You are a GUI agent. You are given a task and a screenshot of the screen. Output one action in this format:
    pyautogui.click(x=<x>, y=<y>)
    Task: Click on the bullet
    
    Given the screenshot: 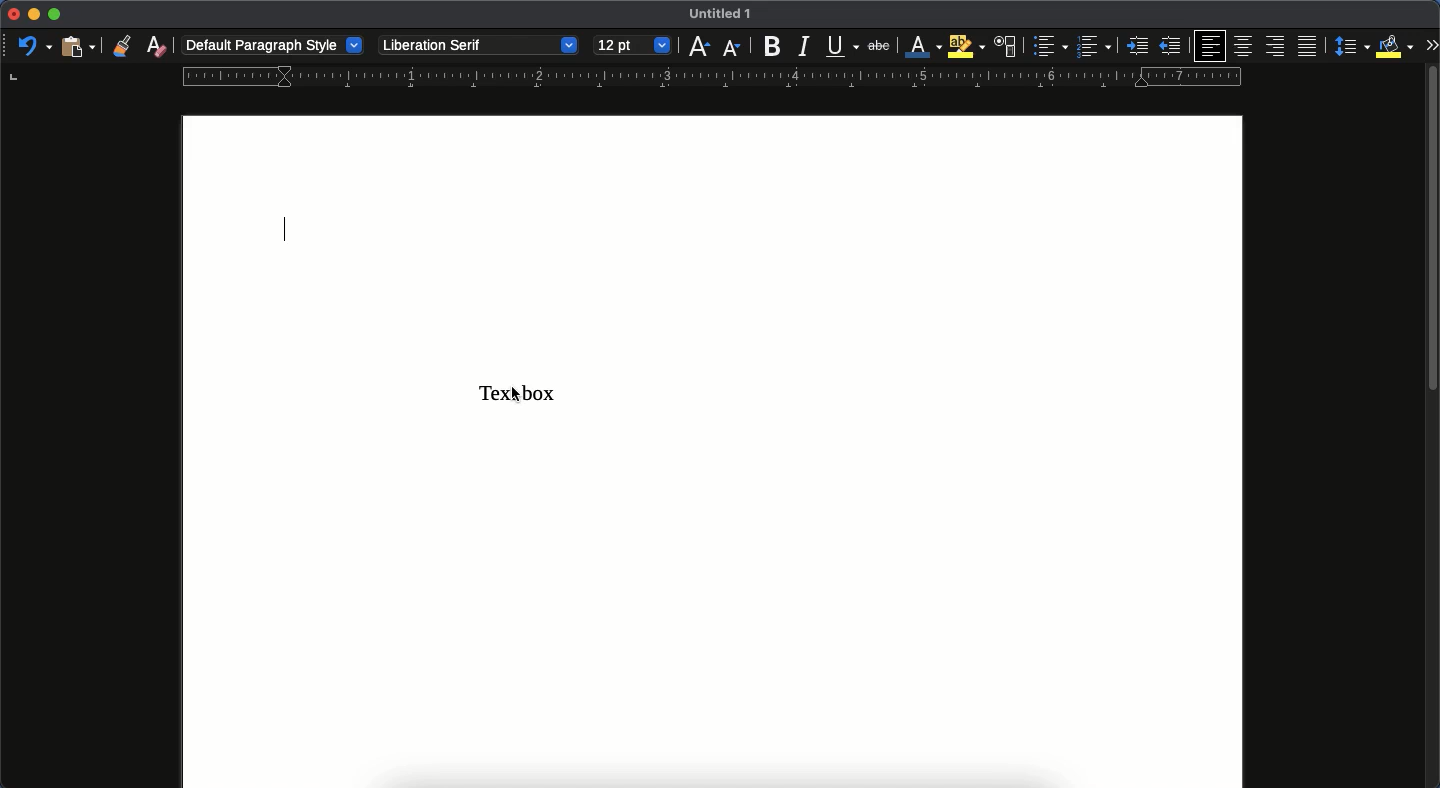 What is the action you would take?
    pyautogui.click(x=1049, y=46)
    